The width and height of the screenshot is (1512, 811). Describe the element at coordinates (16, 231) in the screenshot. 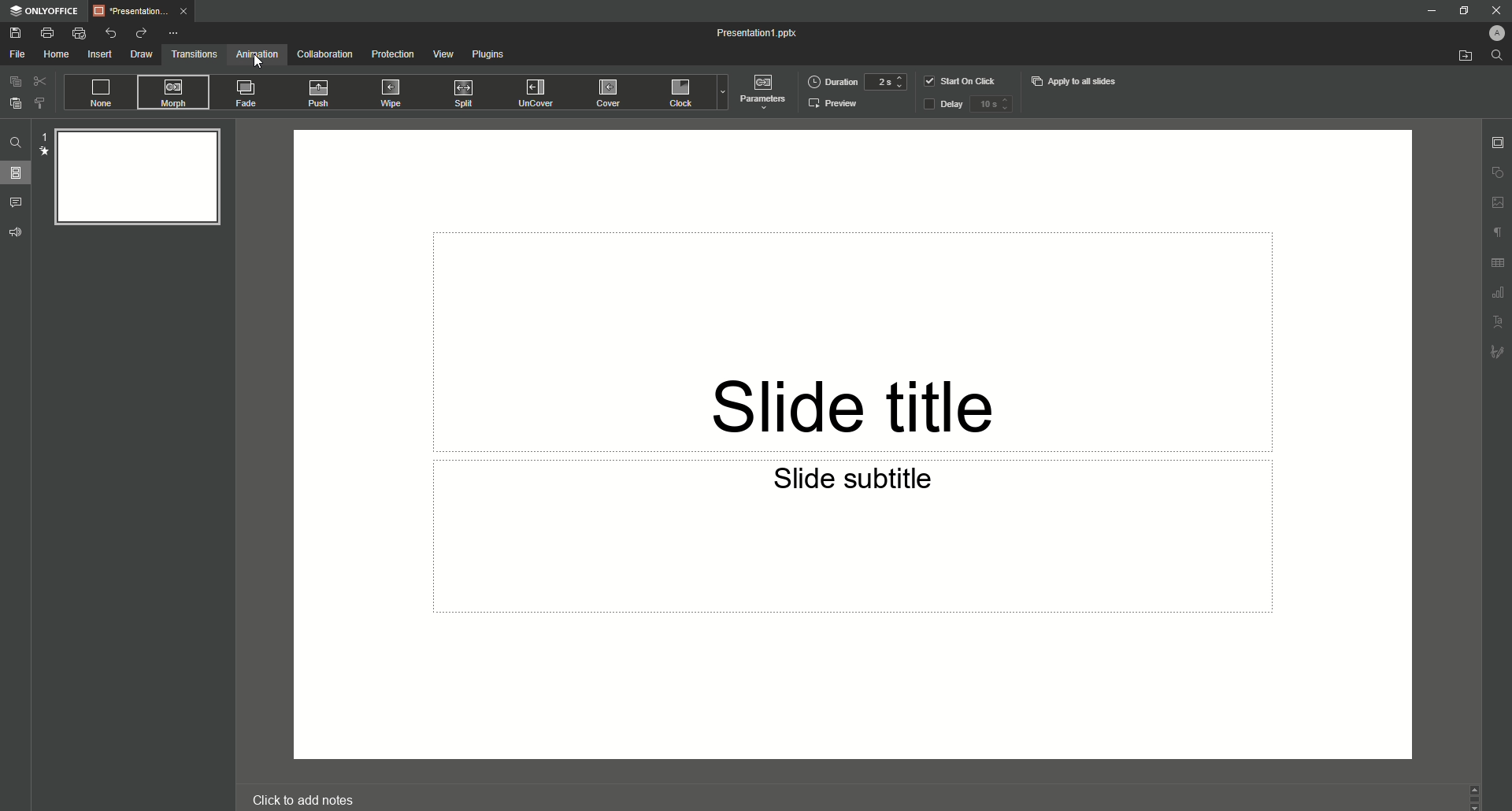

I see `Feedback` at that location.